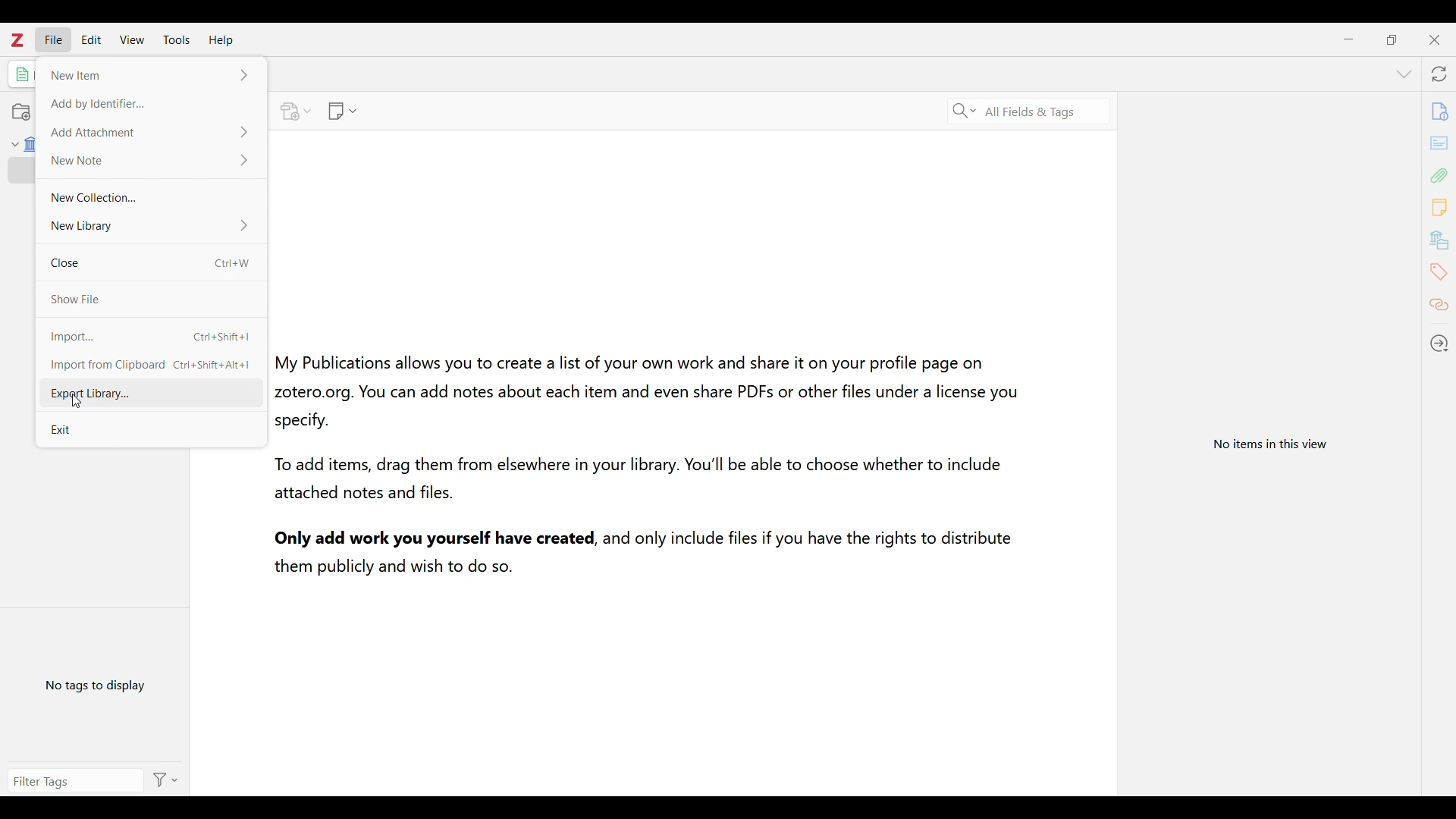 Image resolution: width=1456 pixels, height=819 pixels. I want to click on Tools, so click(177, 39).